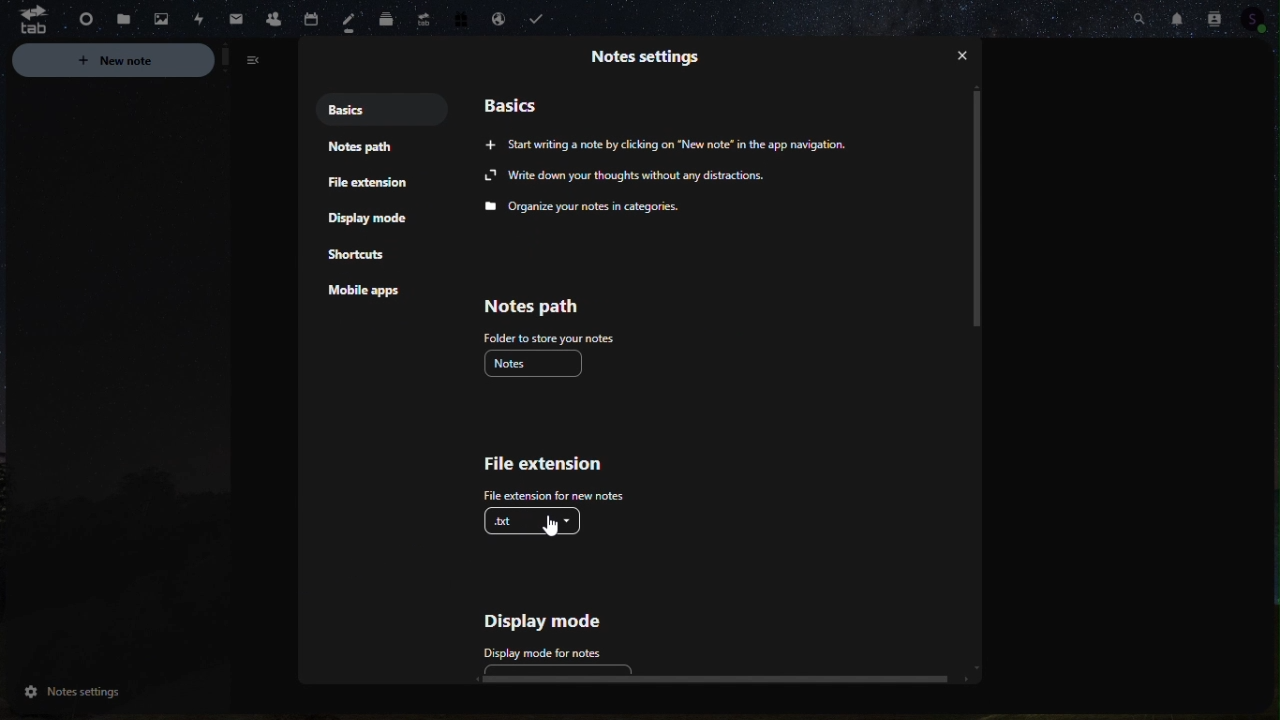 This screenshot has width=1280, height=720. What do you see at coordinates (384, 20) in the screenshot?
I see `Deck` at bounding box center [384, 20].